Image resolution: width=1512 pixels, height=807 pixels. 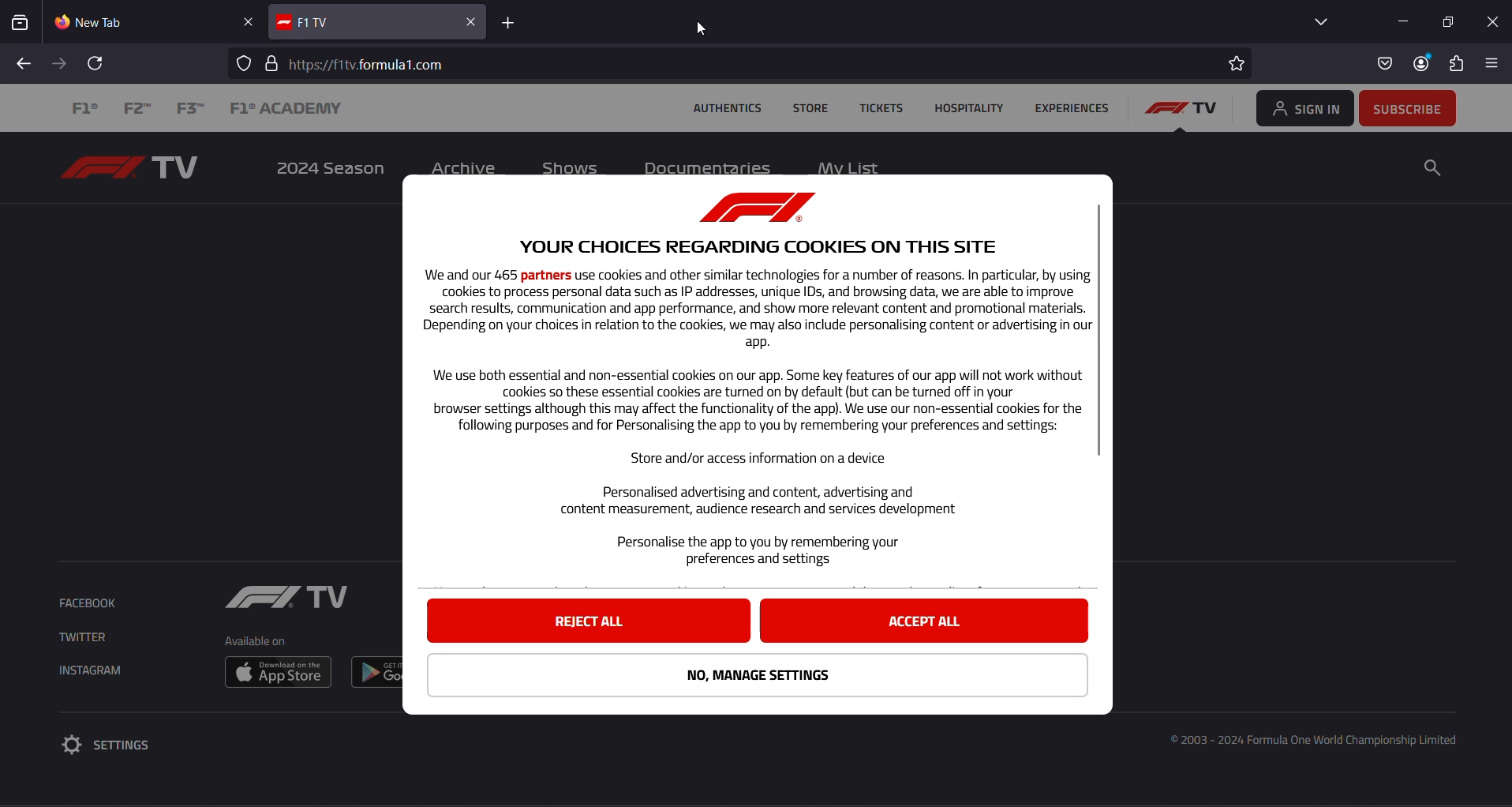 What do you see at coordinates (81, 638) in the screenshot?
I see `twitter` at bounding box center [81, 638].